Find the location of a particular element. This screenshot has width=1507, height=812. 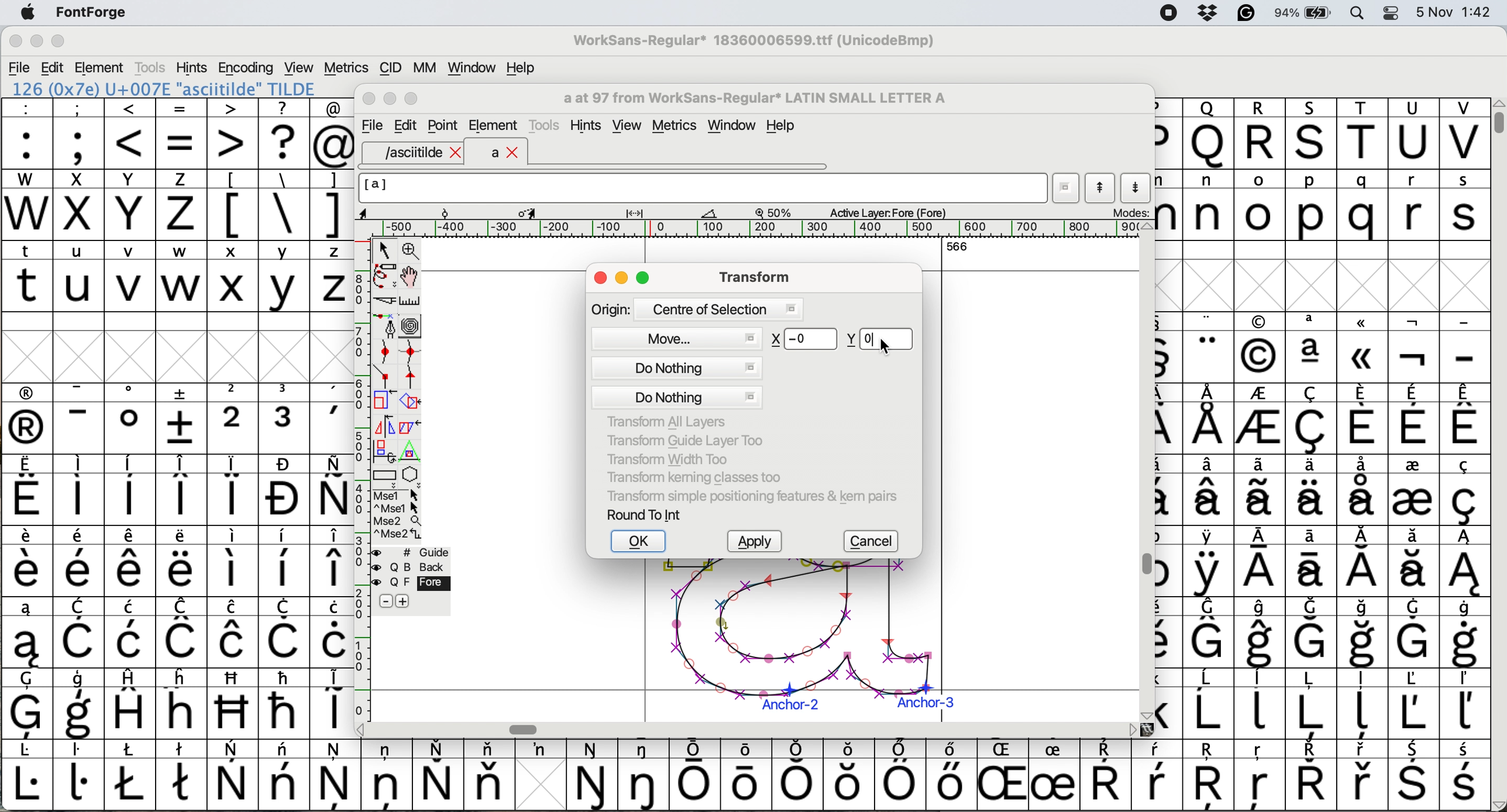

Point is located at coordinates (444, 127).